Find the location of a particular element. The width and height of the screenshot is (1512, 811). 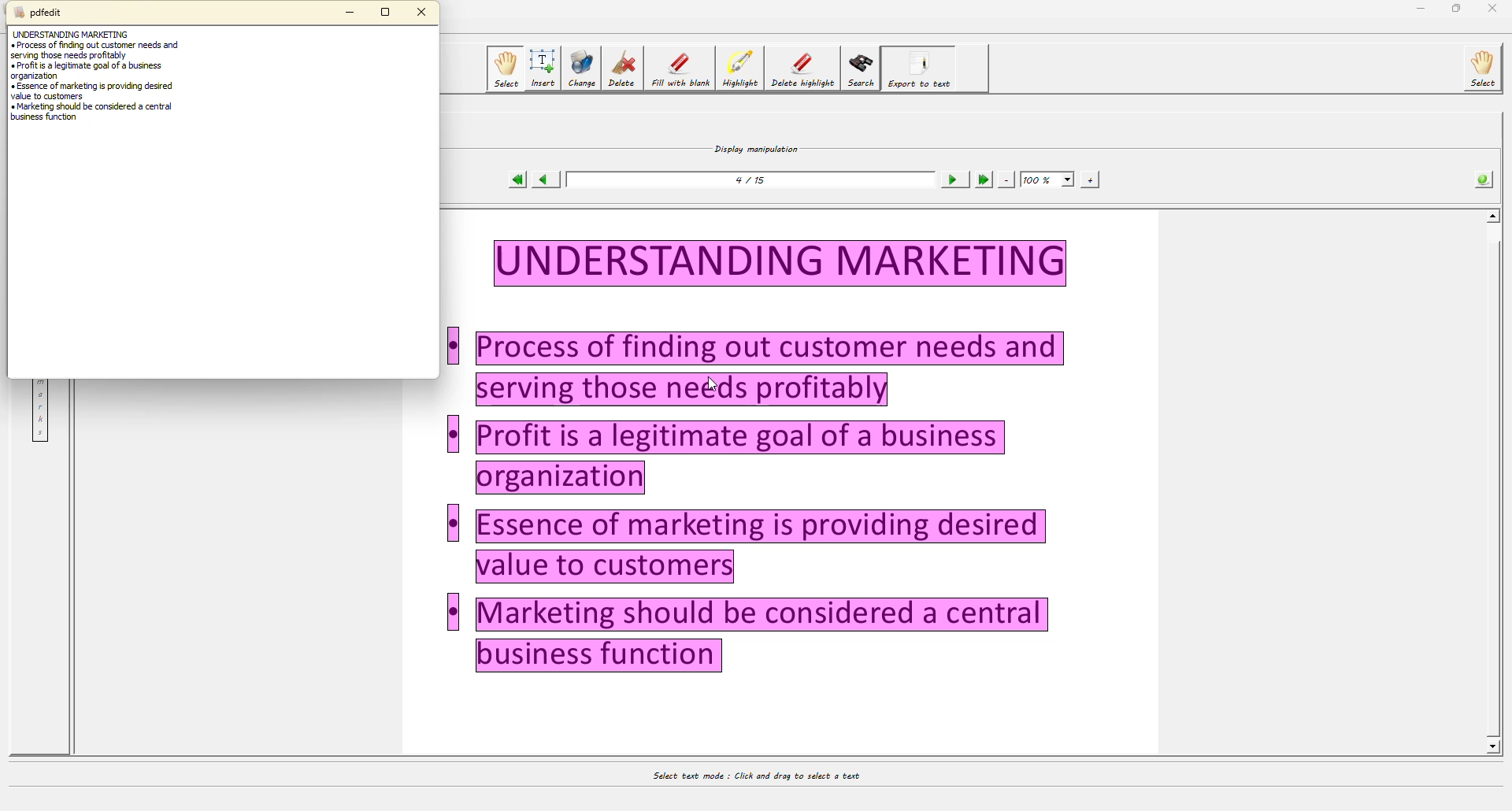

fill with blank is located at coordinates (683, 66).